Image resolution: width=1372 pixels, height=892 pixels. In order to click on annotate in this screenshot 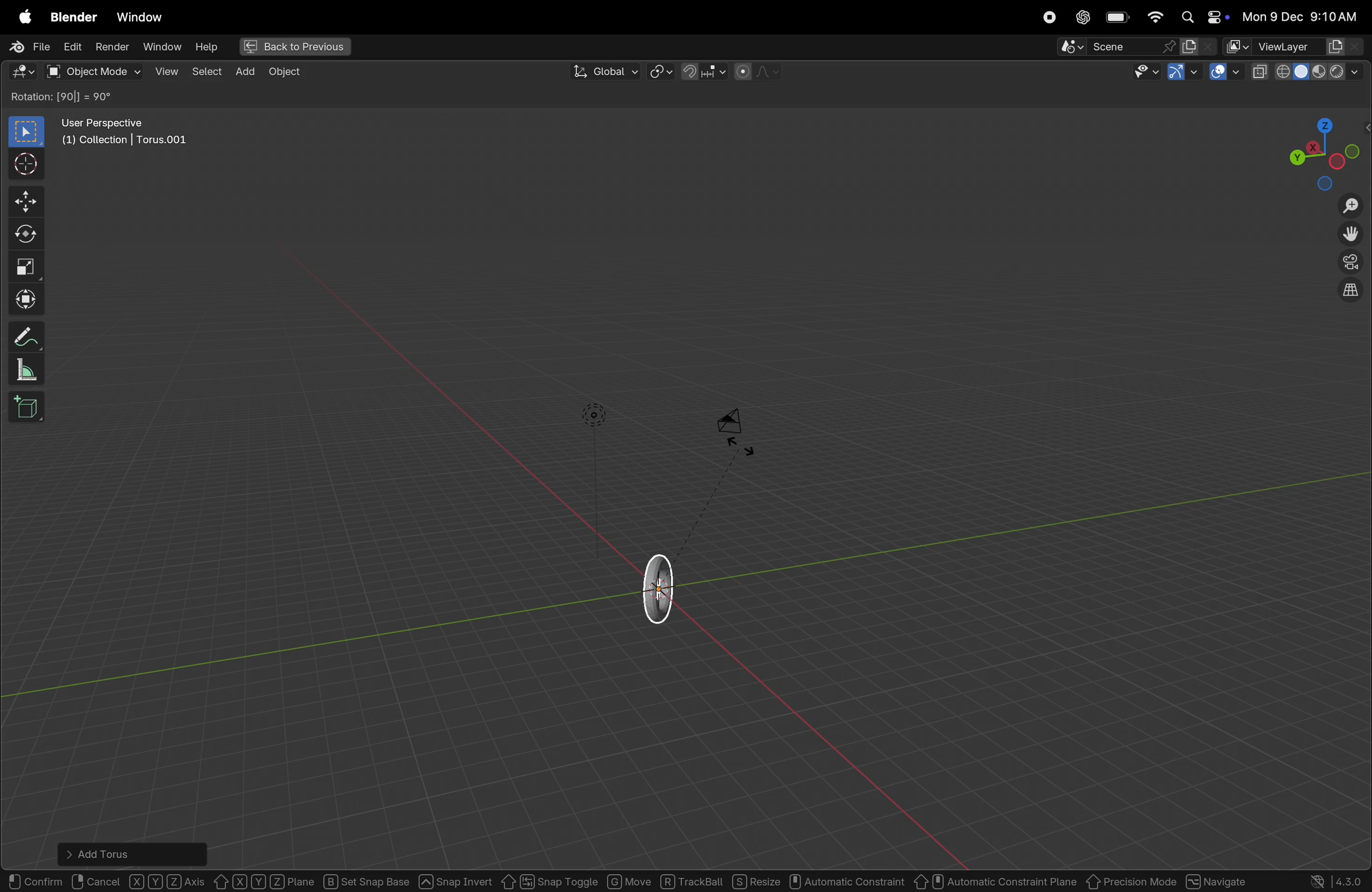, I will do `click(28, 334)`.